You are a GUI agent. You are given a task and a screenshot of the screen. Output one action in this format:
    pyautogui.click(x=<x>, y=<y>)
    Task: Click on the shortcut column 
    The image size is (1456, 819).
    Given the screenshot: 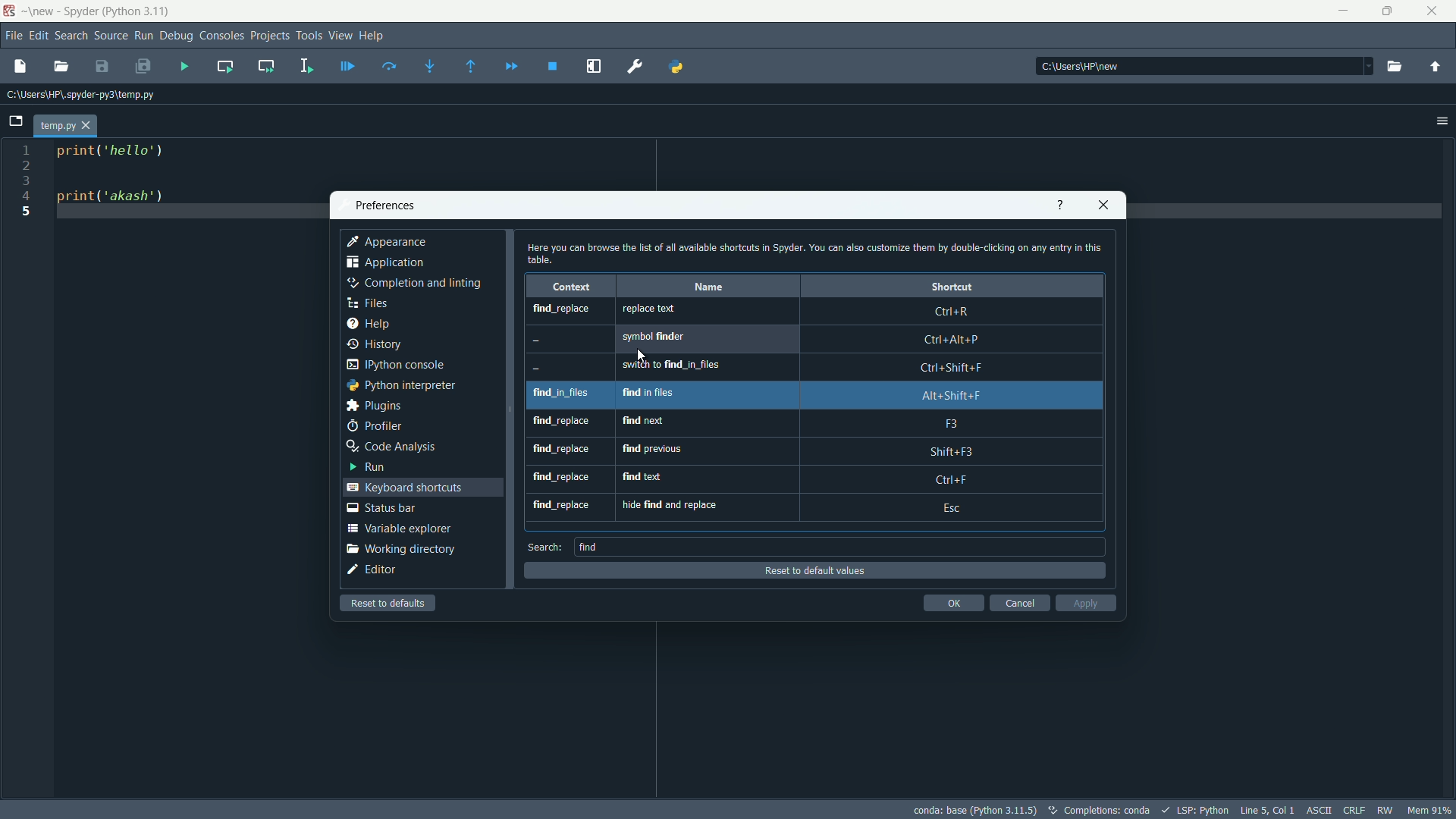 What is the action you would take?
    pyautogui.click(x=952, y=285)
    